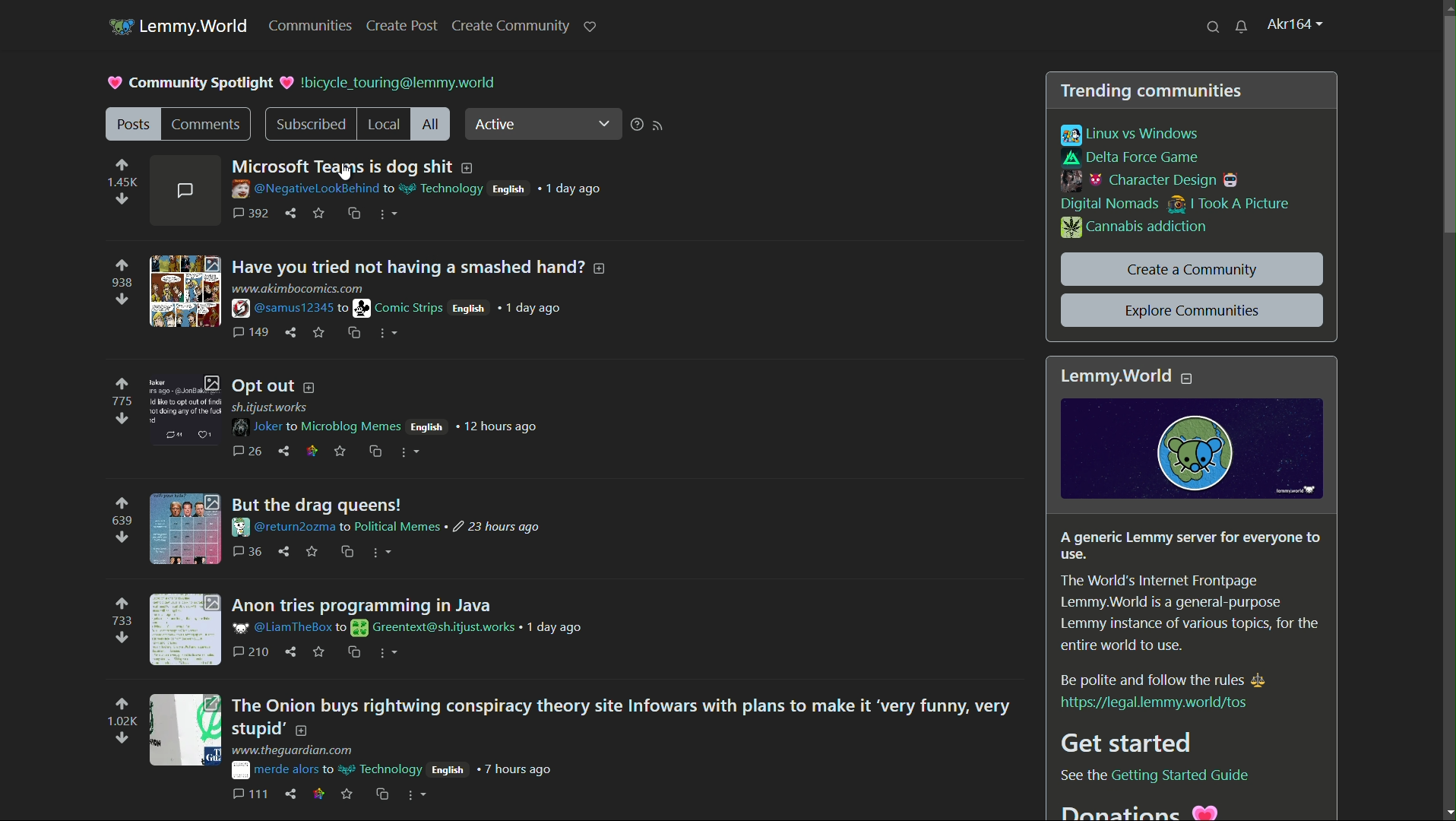 This screenshot has height=821, width=1456. Describe the element at coordinates (186, 530) in the screenshot. I see `image` at that location.